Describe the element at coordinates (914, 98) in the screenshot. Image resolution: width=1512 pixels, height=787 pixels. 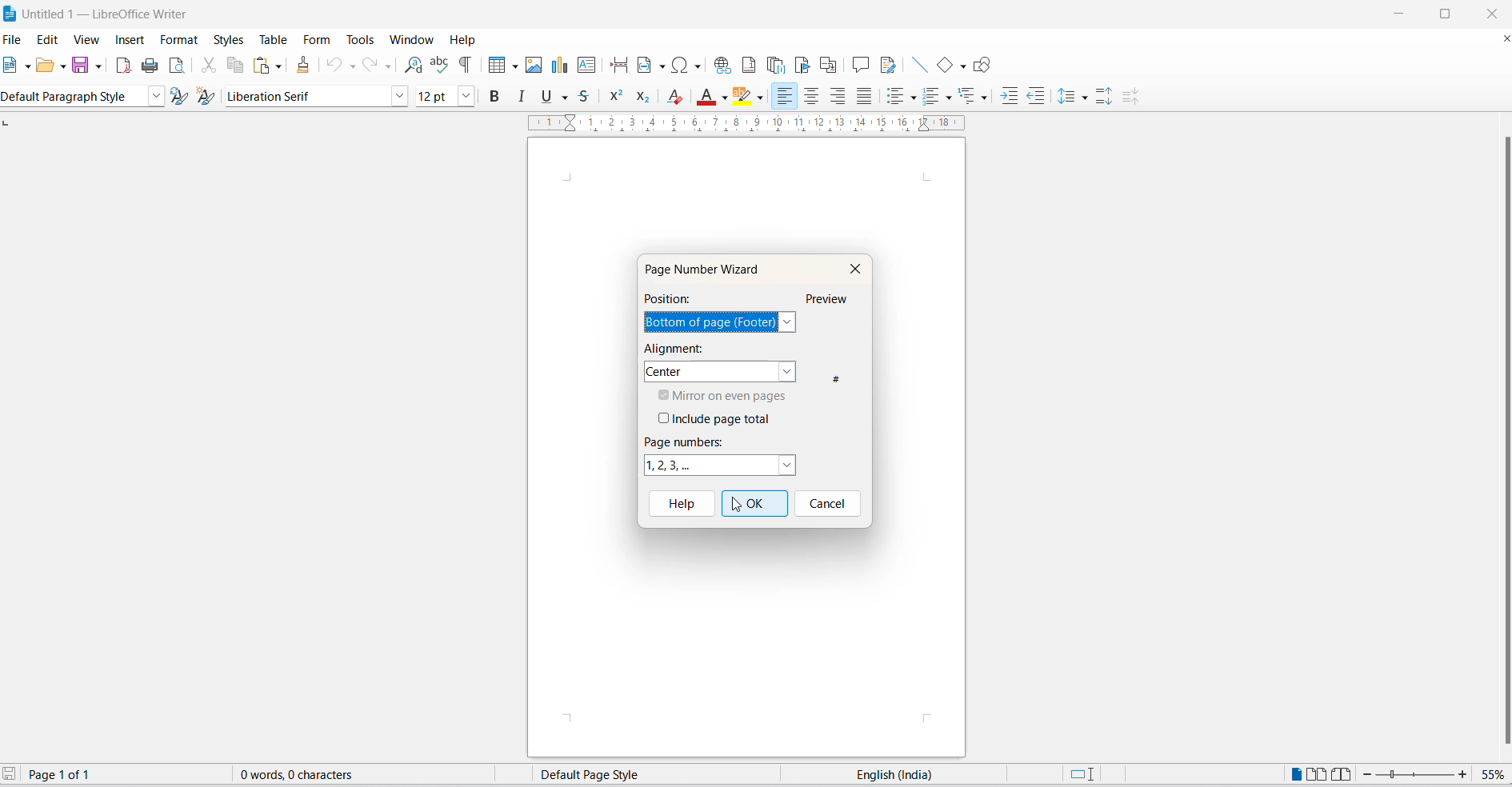
I see `toggle unordered list` at that location.